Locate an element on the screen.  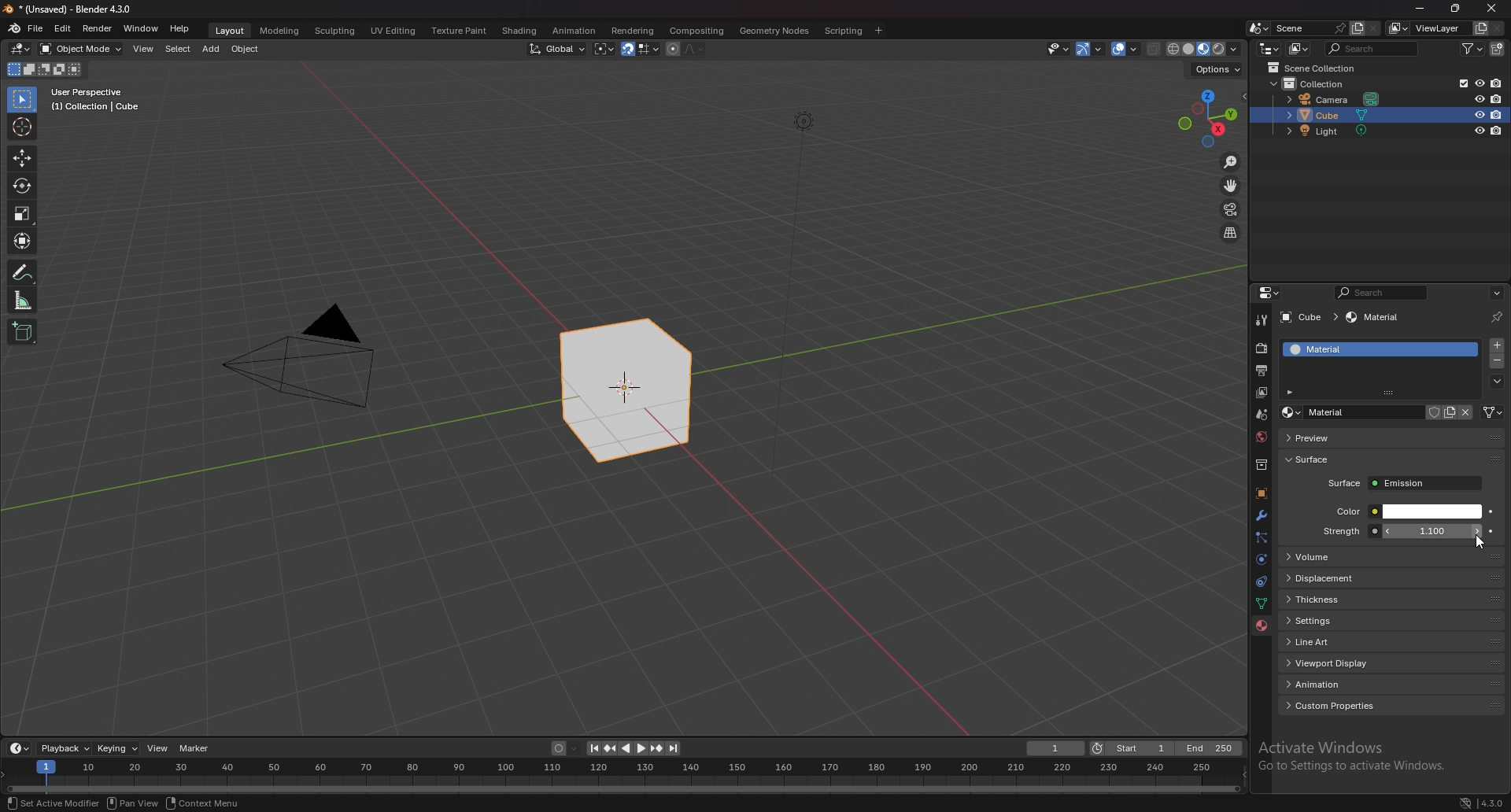
hide in viewport is located at coordinates (1480, 130).